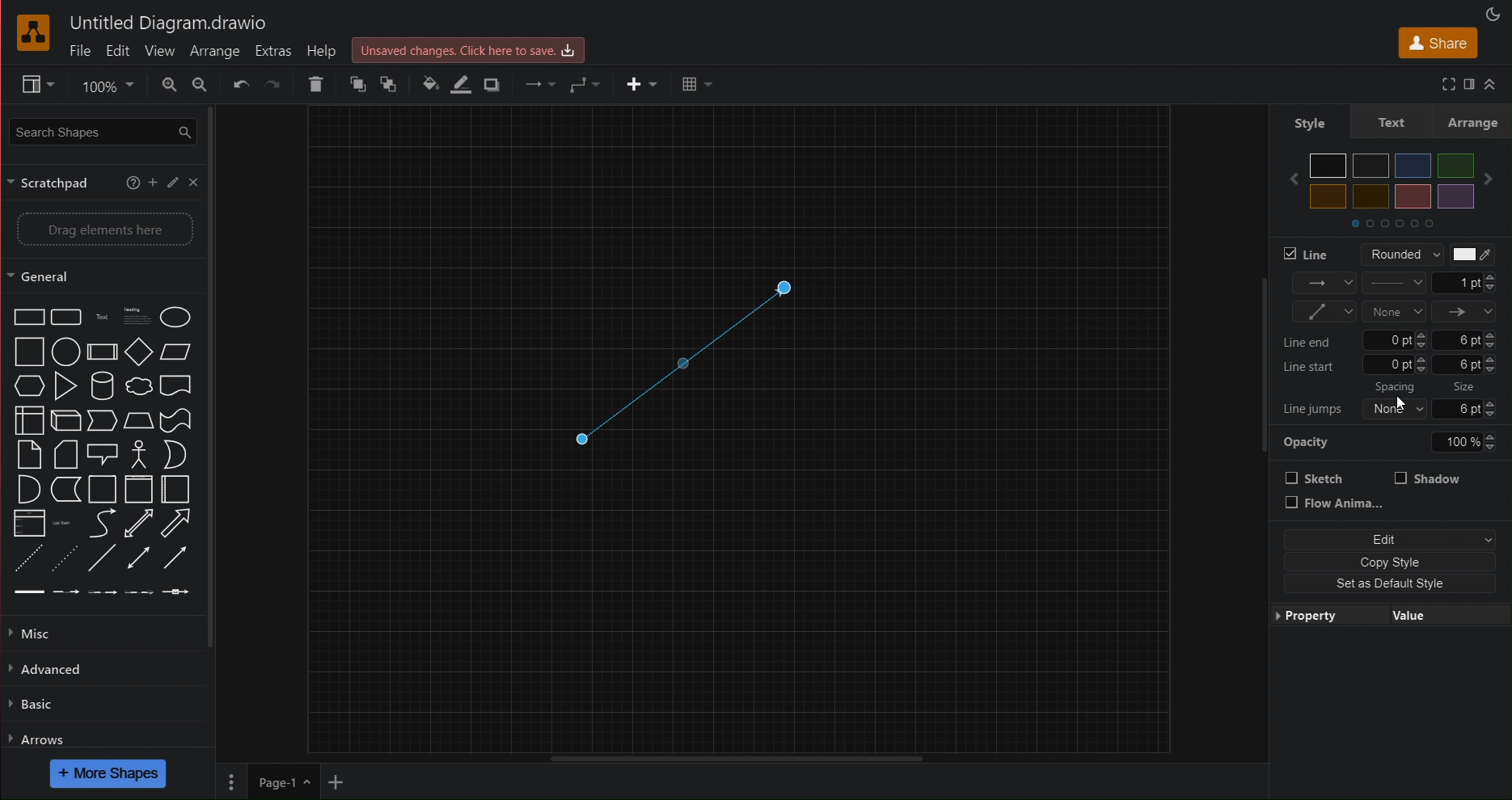  What do you see at coordinates (1394, 283) in the screenshot?
I see `Line Type` at bounding box center [1394, 283].